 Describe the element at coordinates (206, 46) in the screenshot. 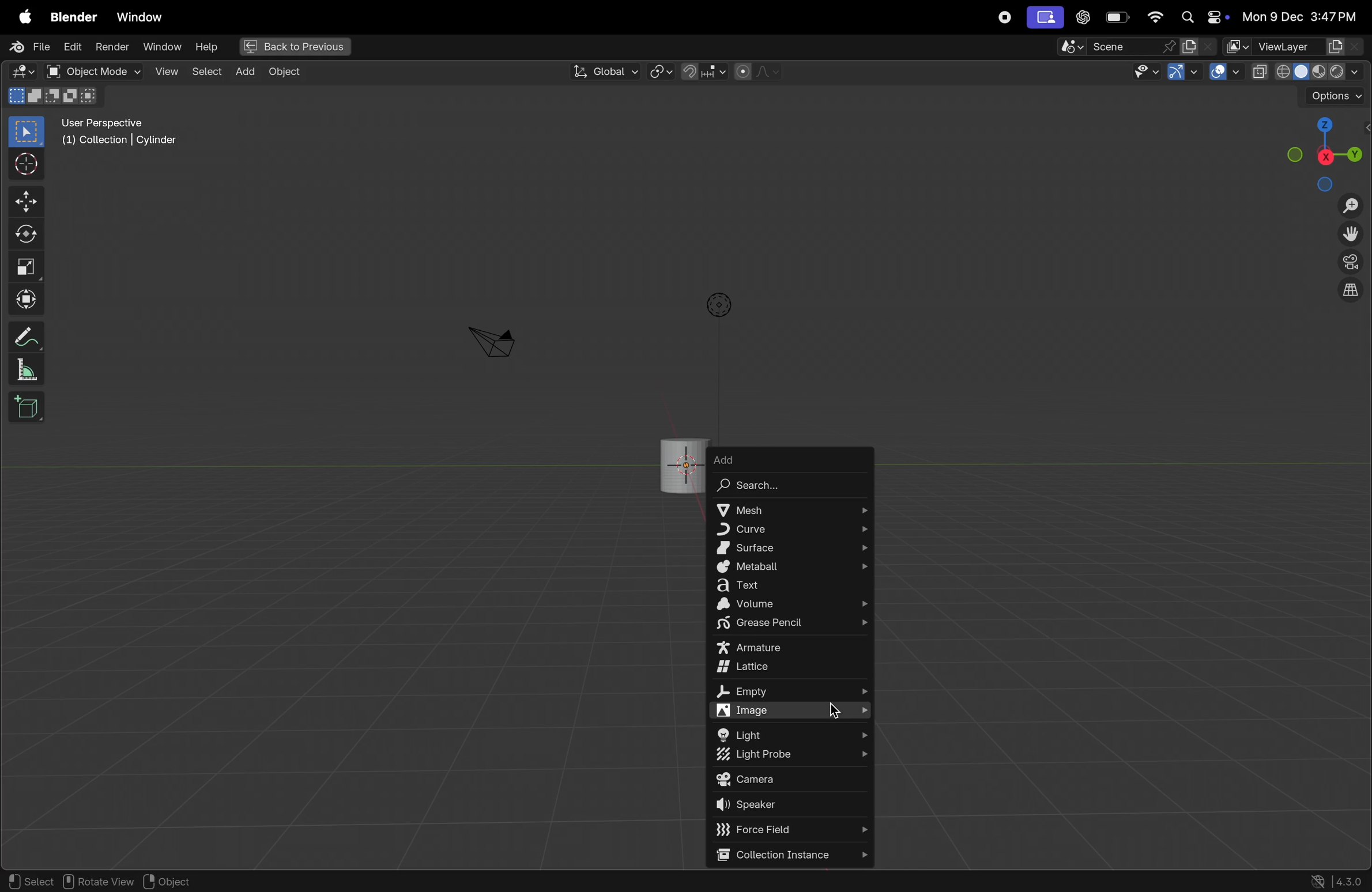

I see `help` at that location.